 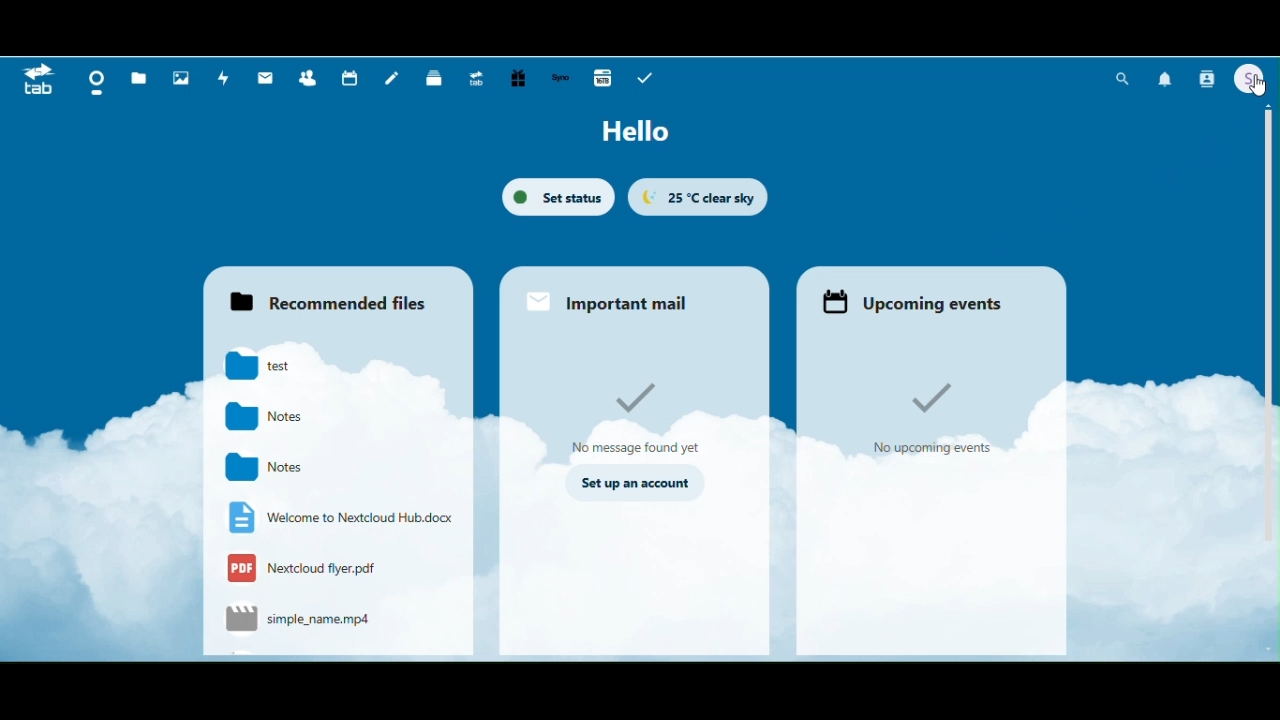 What do you see at coordinates (434, 79) in the screenshot?
I see `deck` at bounding box center [434, 79].